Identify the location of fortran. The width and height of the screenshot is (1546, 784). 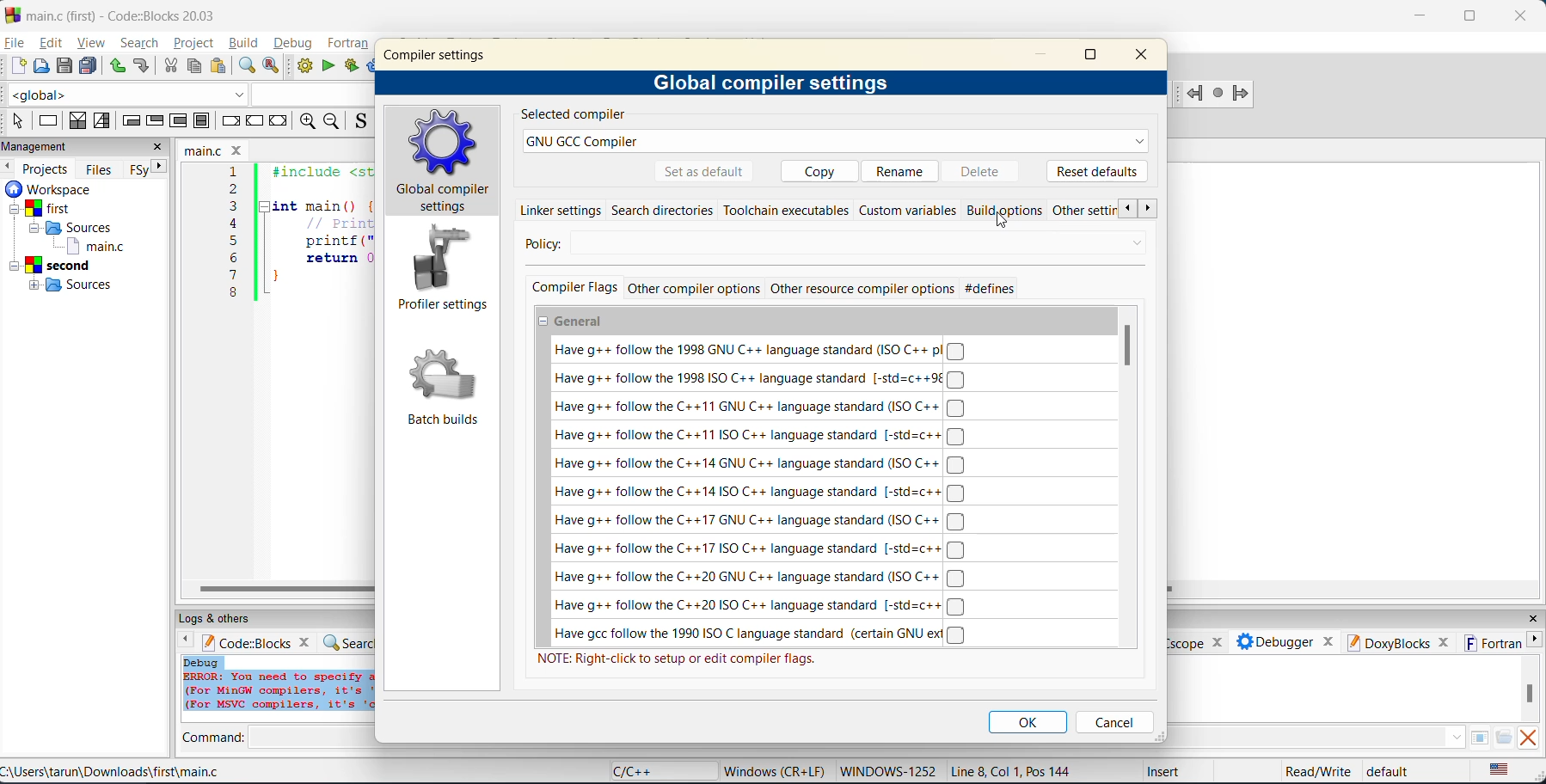
(350, 44).